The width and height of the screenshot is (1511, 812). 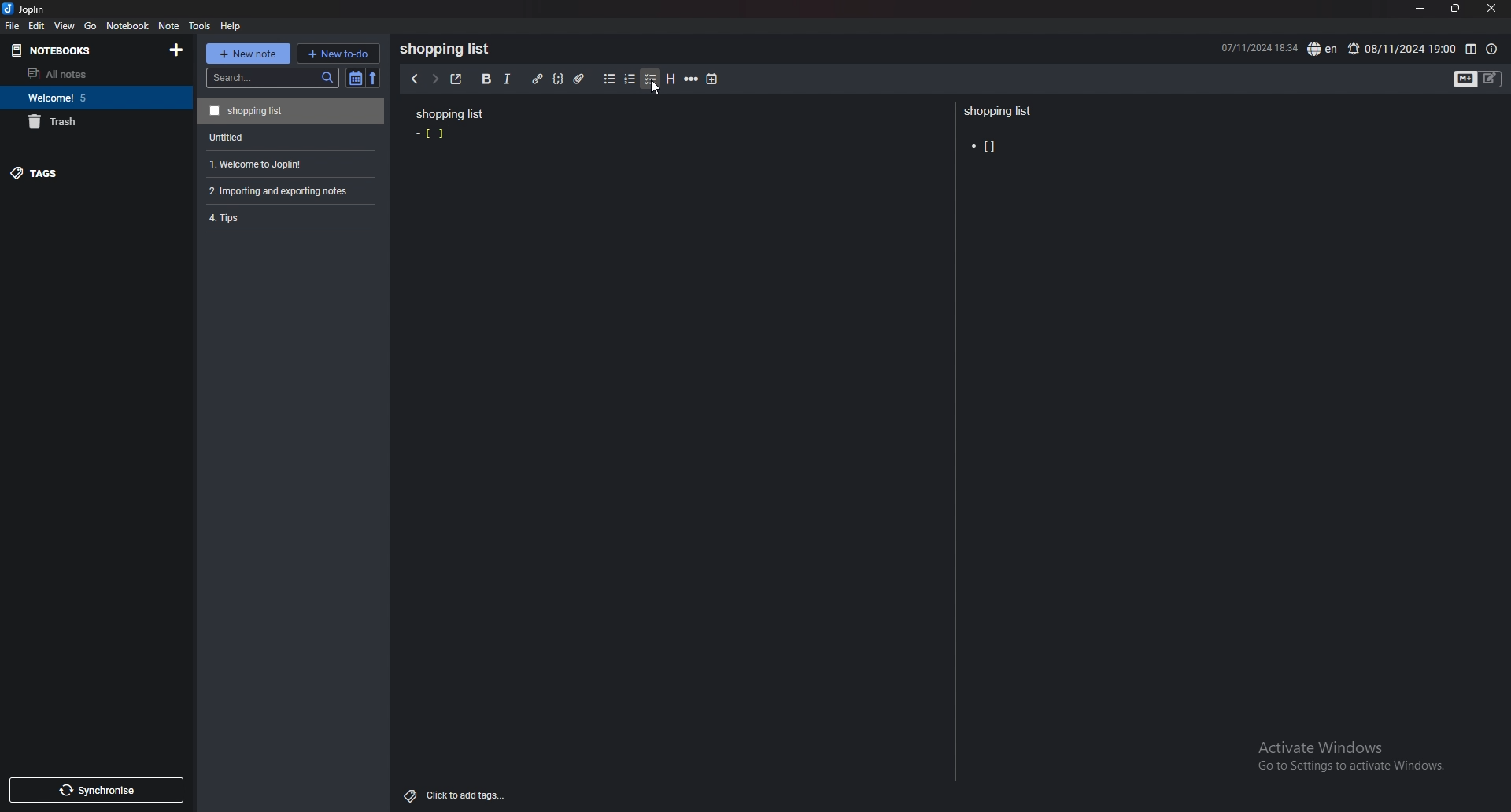 I want to click on Cursor, so click(x=653, y=88).